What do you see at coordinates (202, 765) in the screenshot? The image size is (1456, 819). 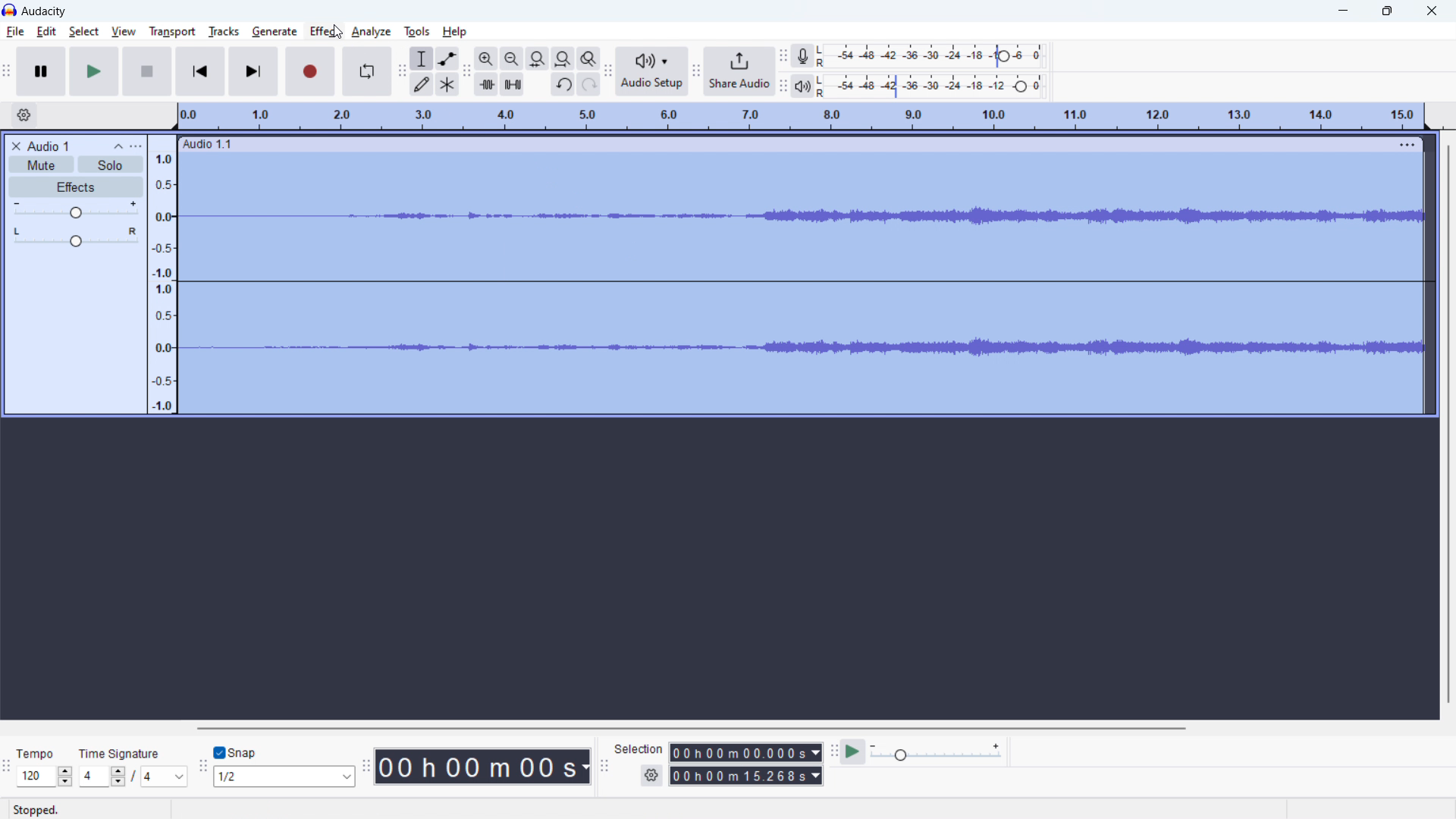 I see `snapping toolbar` at bounding box center [202, 765].